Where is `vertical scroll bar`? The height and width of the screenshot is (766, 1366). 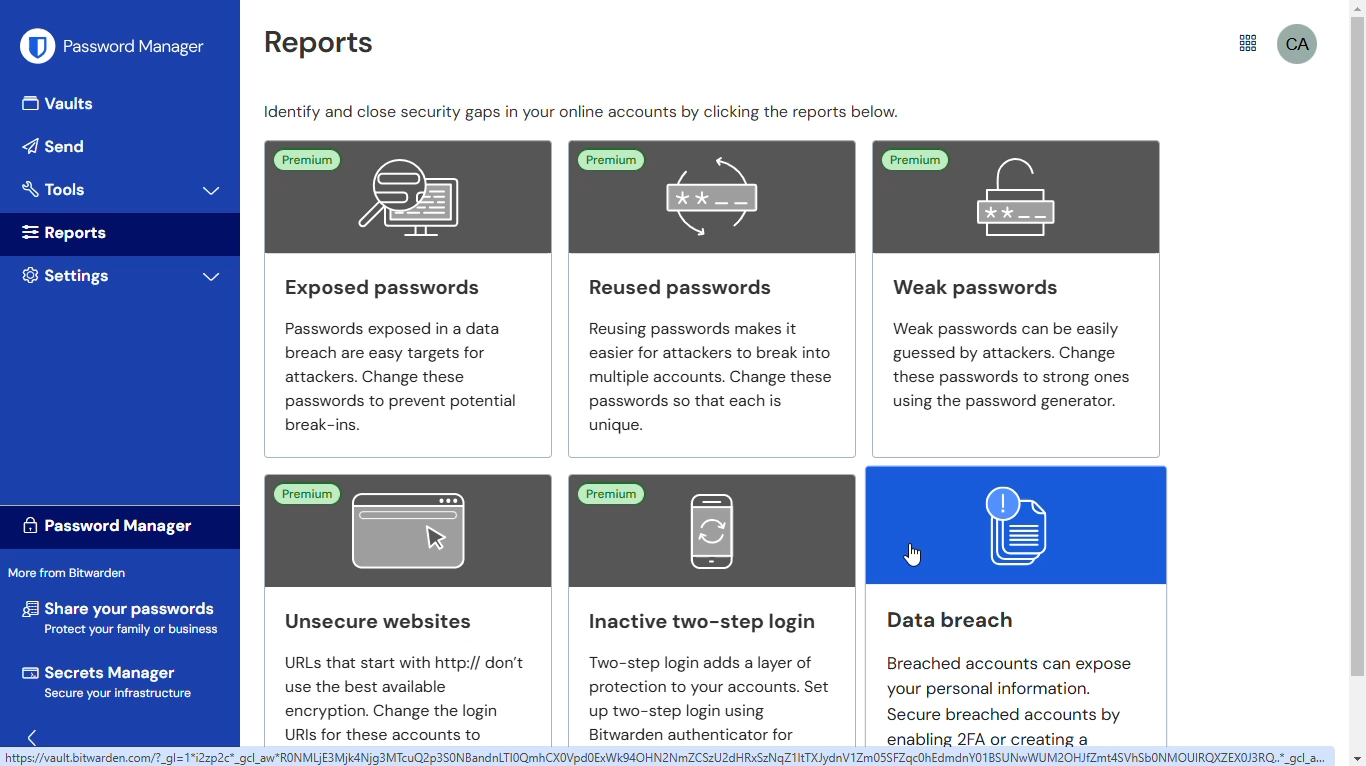
vertical scroll bar is located at coordinates (1356, 347).